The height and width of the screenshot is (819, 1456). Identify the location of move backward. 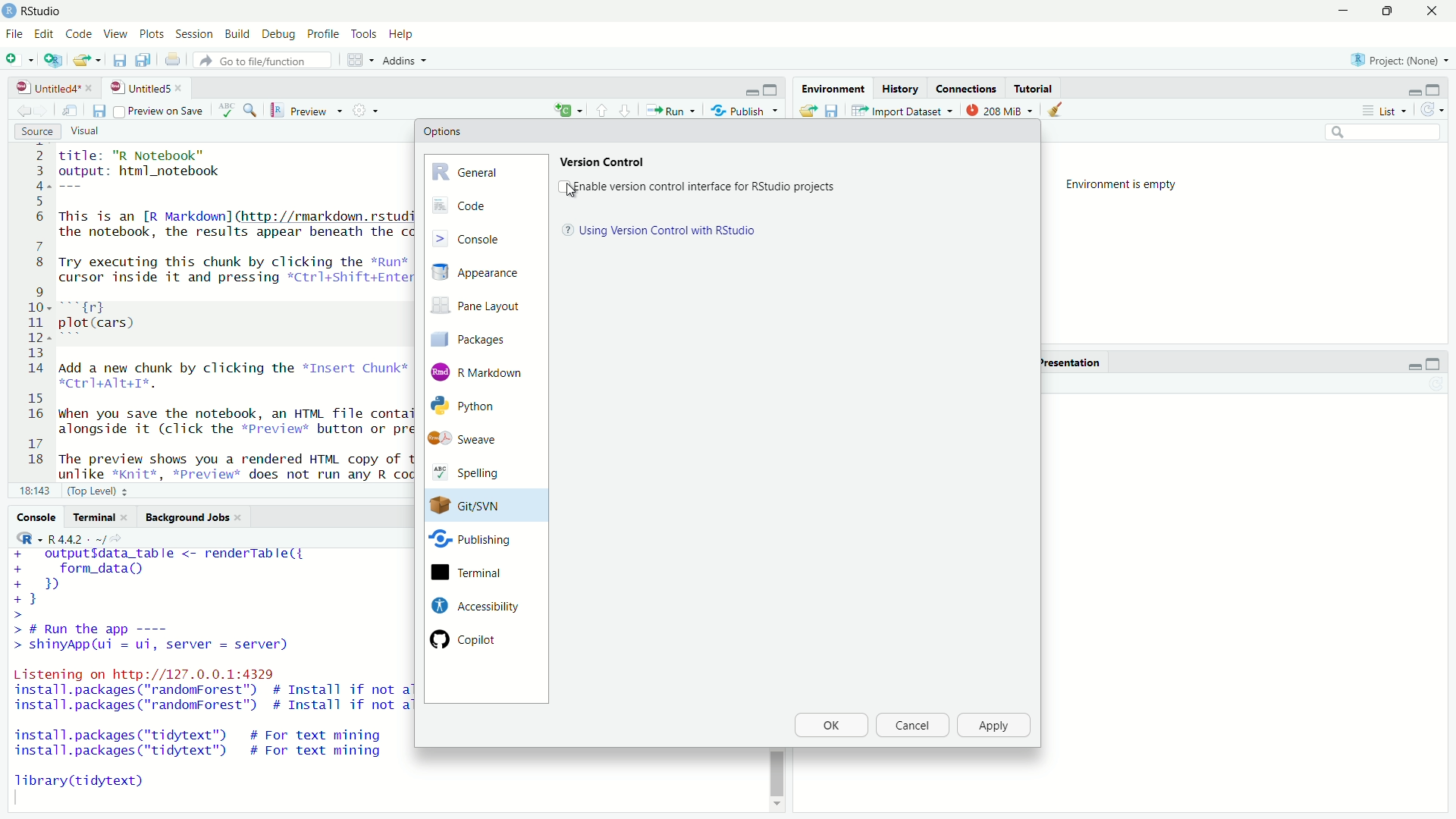
(44, 110).